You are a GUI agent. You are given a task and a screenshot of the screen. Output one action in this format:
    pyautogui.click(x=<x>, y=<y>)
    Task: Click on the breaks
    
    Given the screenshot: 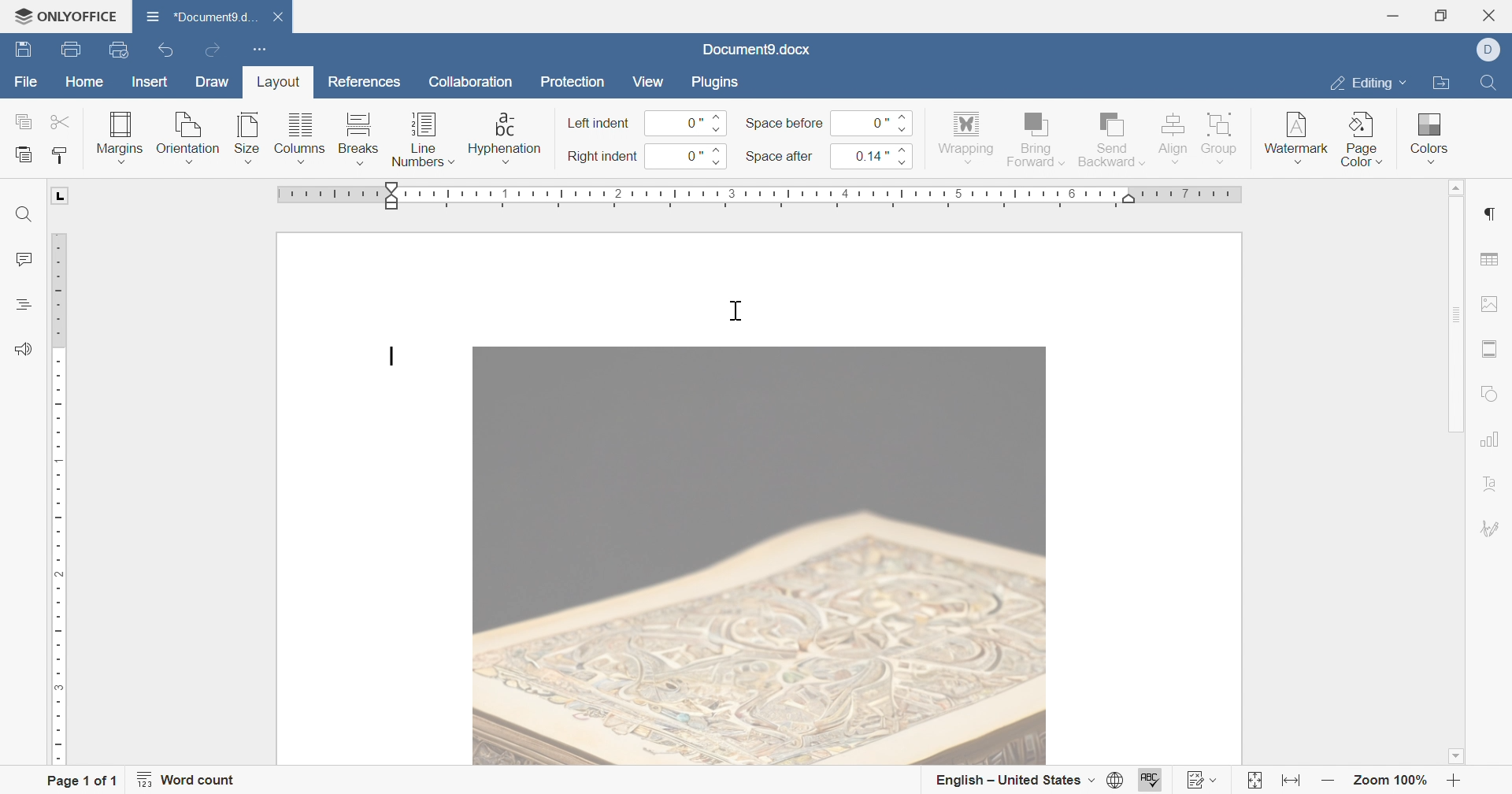 What is the action you would take?
    pyautogui.click(x=355, y=139)
    